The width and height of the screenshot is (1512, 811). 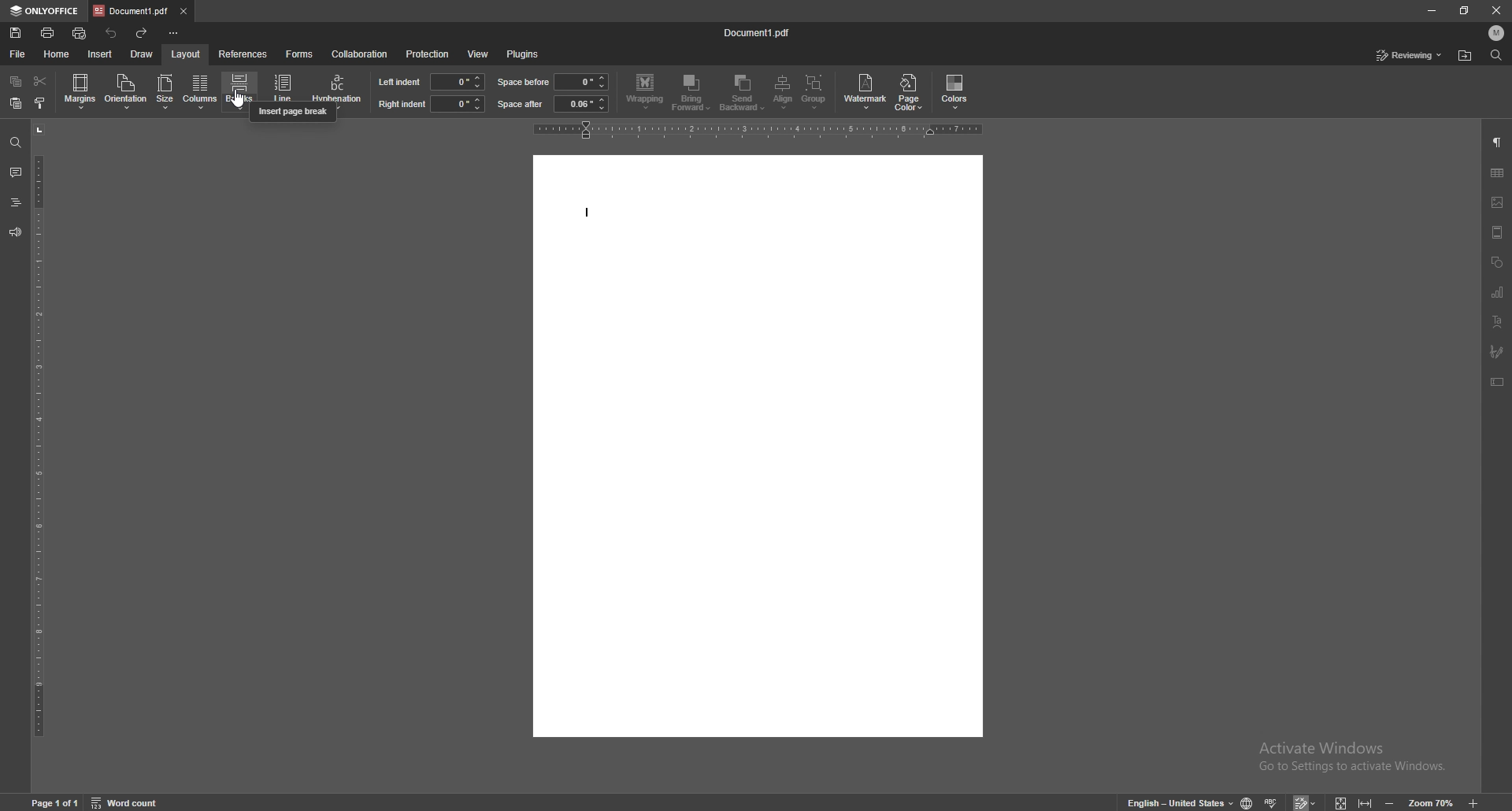 What do you see at coordinates (1250, 800) in the screenshot?
I see `change doc language` at bounding box center [1250, 800].